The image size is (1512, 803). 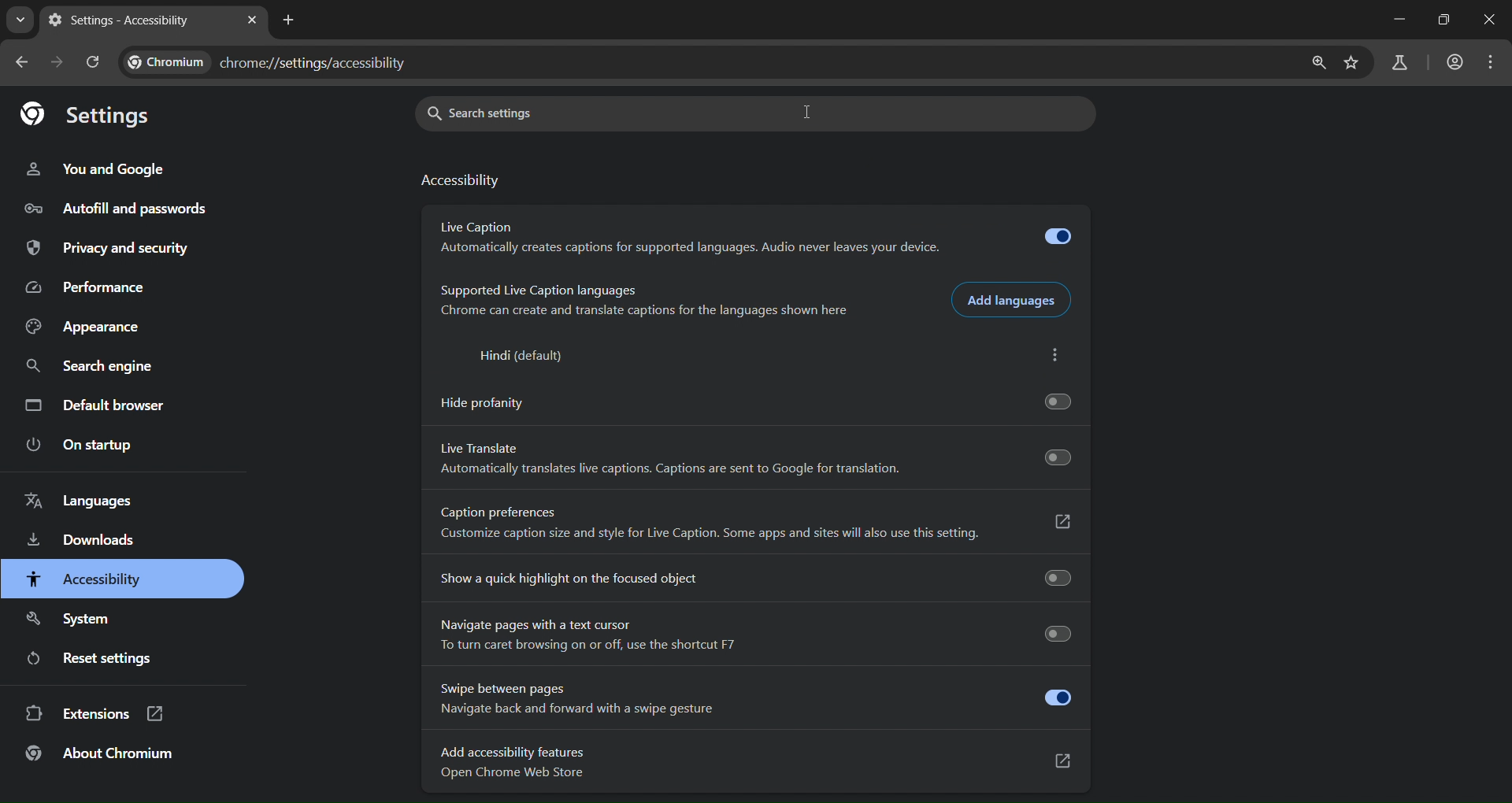 What do you see at coordinates (543, 113) in the screenshot?
I see `search settings` at bounding box center [543, 113].